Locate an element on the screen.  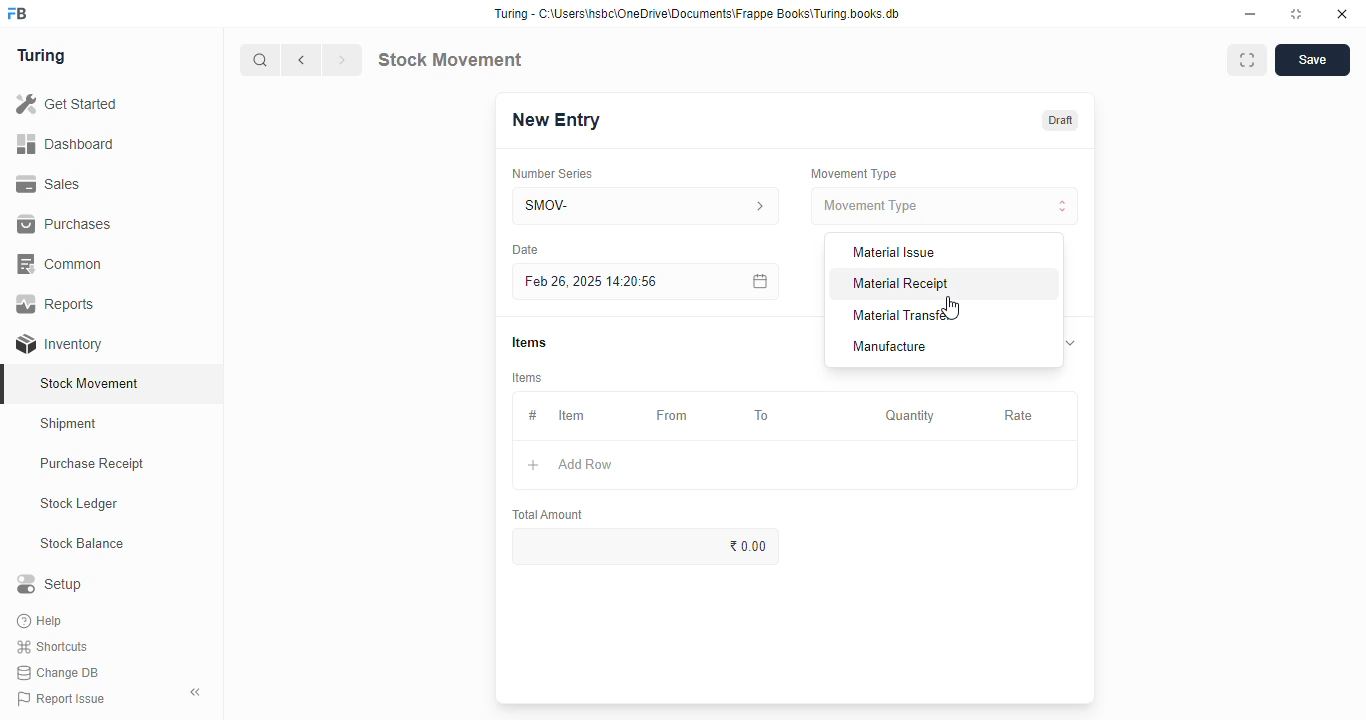
turing is located at coordinates (42, 56).